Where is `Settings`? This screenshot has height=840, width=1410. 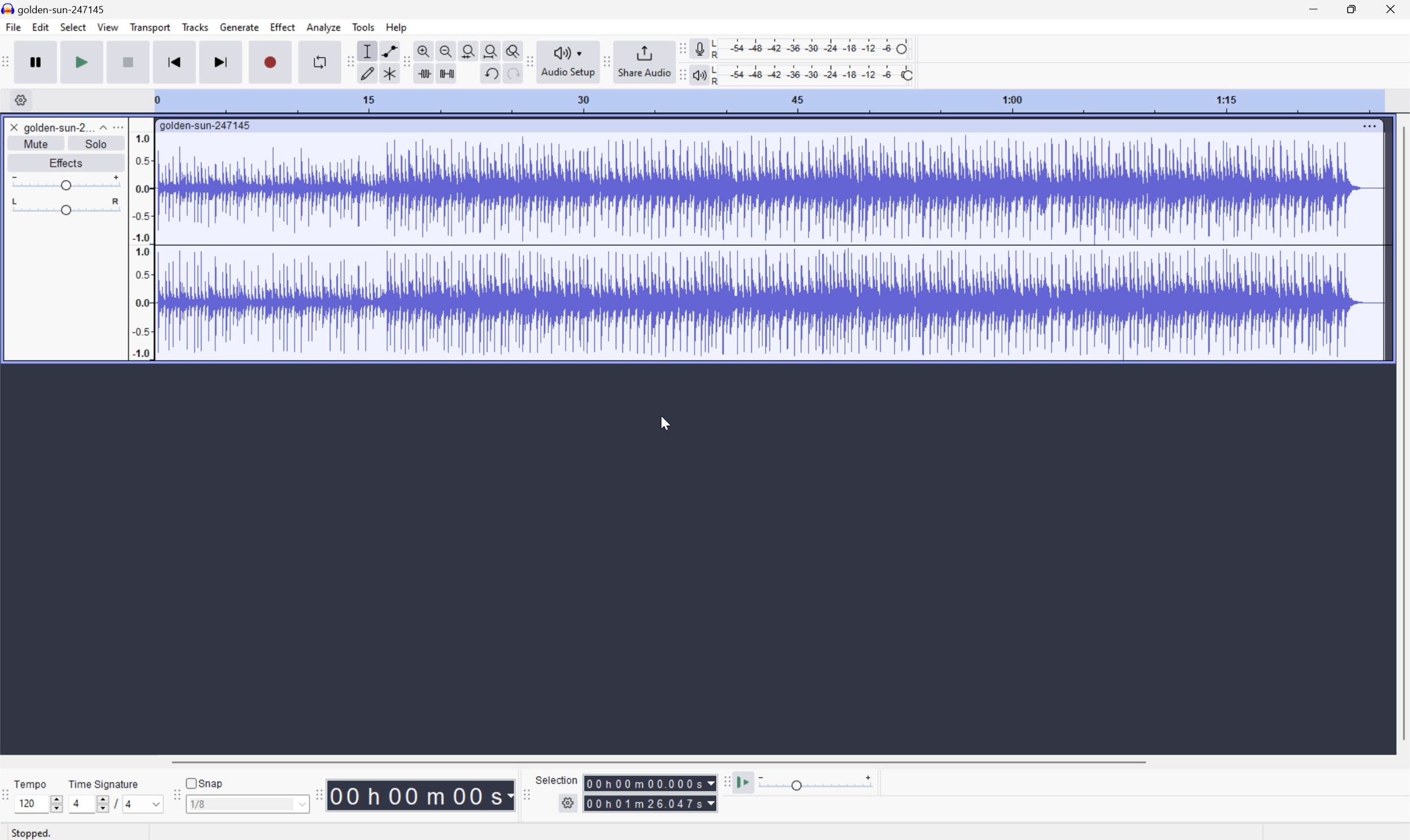 Settings is located at coordinates (23, 100).